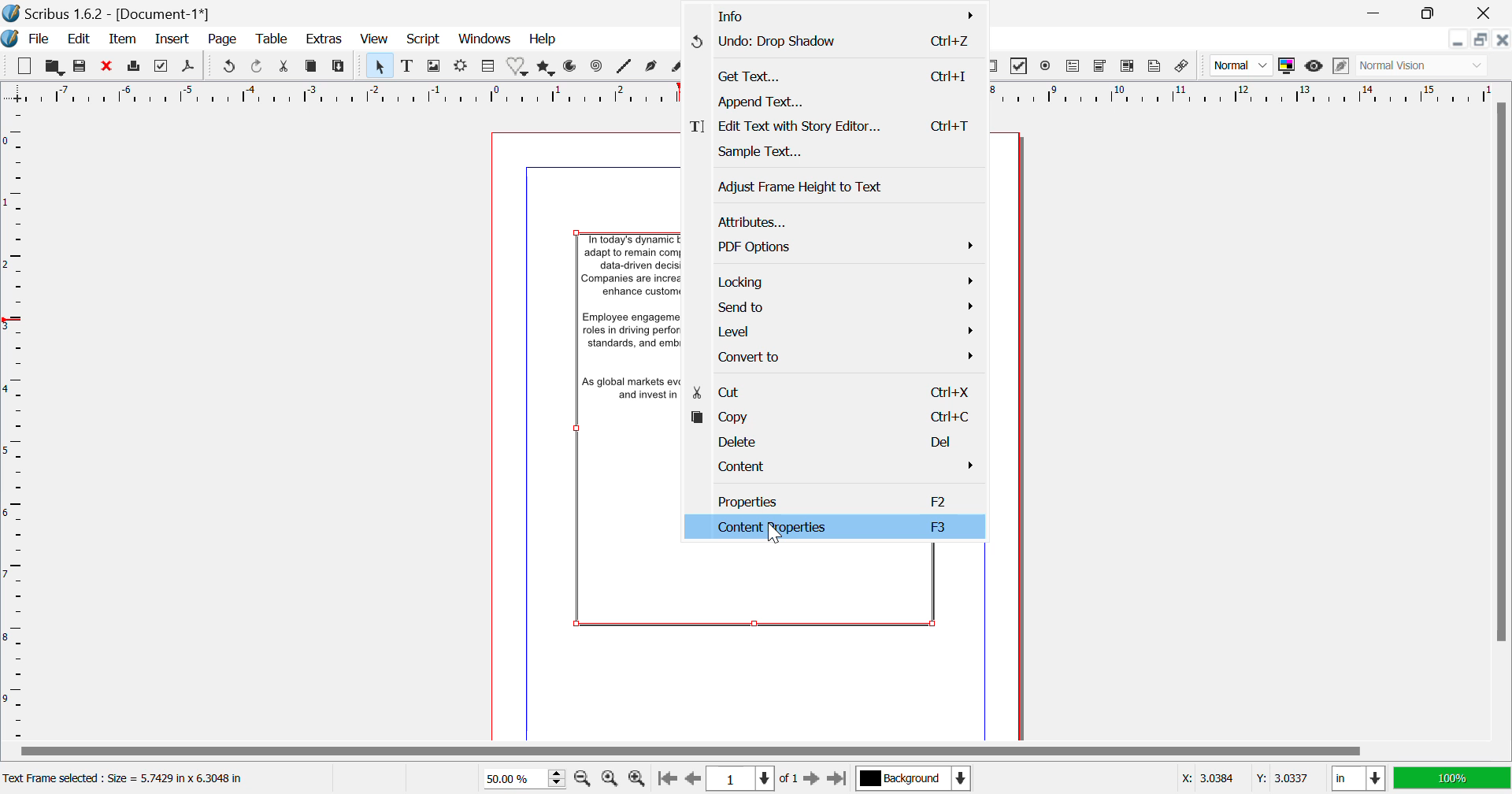 The width and height of the screenshot is (1512, 794). What do you see at coordinates (1421, 65) in the screenshot?
I see `Visual Appearance of display` at bounding box center [1421, 65].